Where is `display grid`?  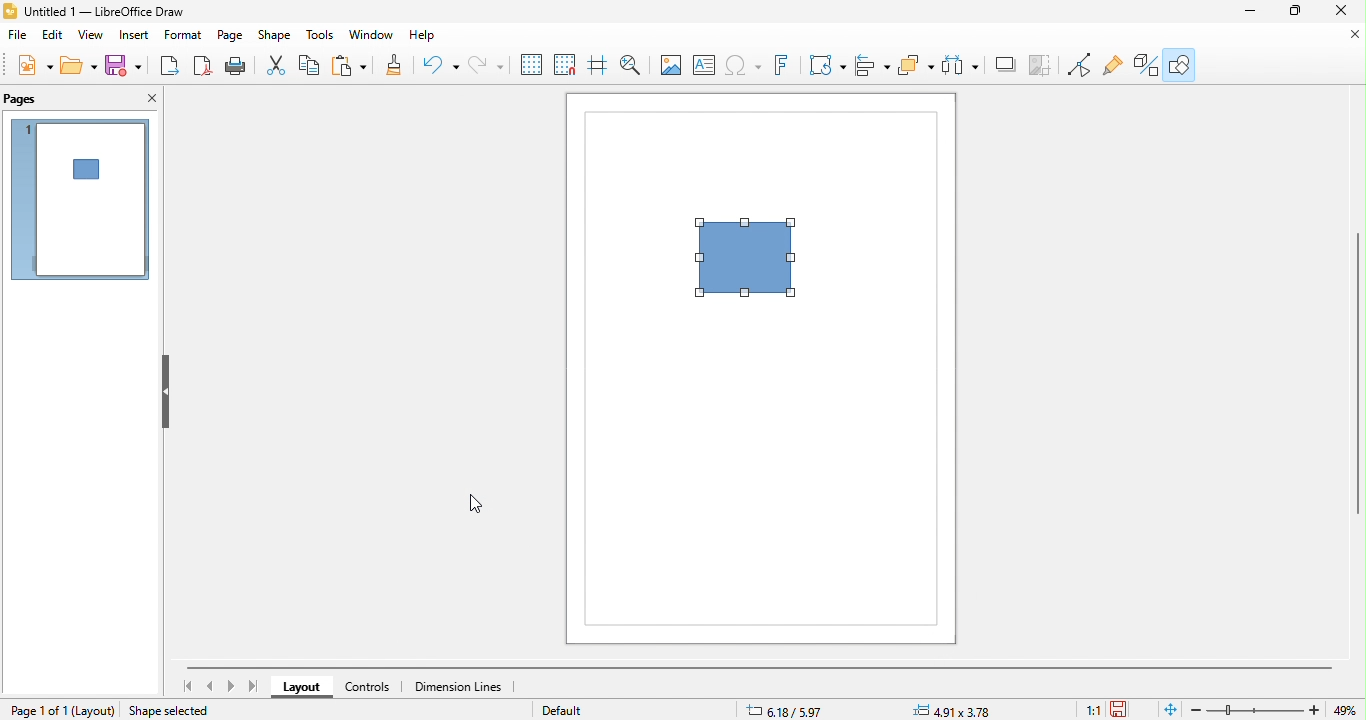 display grid is located at coordinates (532, 65).